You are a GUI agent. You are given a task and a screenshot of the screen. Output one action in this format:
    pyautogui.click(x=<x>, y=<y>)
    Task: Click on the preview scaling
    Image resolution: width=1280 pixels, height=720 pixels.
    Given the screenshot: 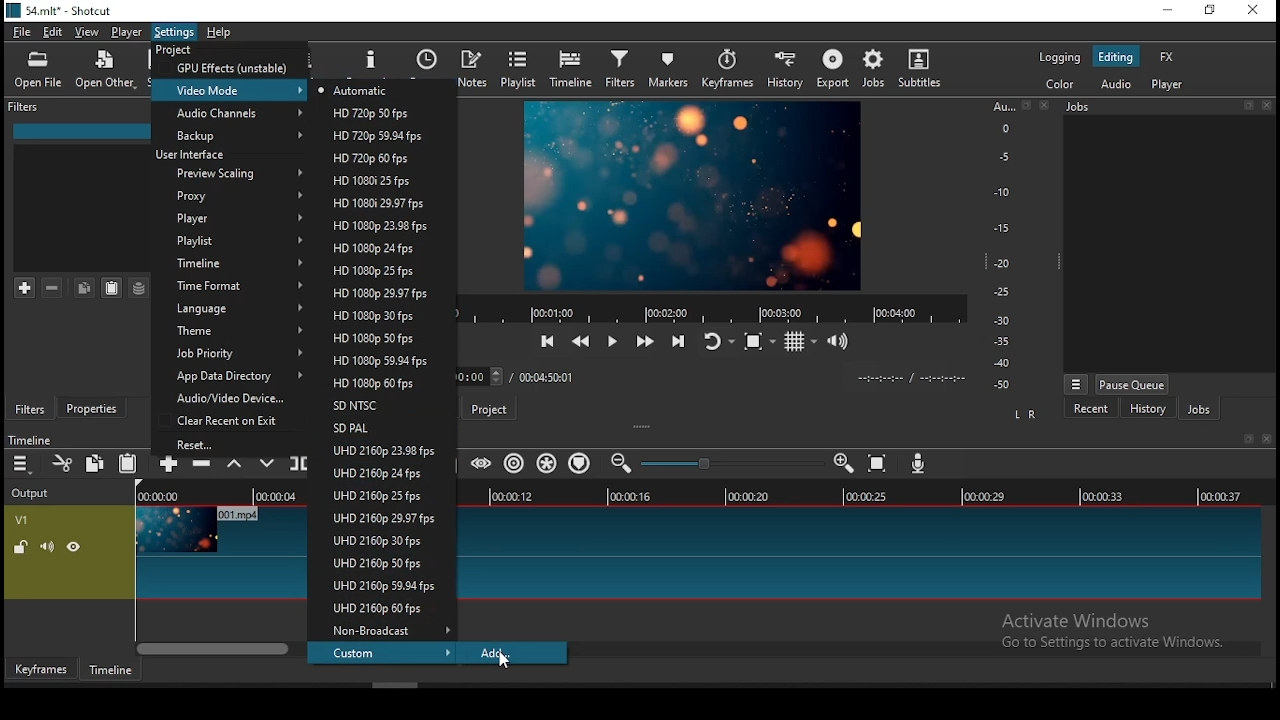 What is the action you would take?
    pyautogui.click(x=231, y=172)
    